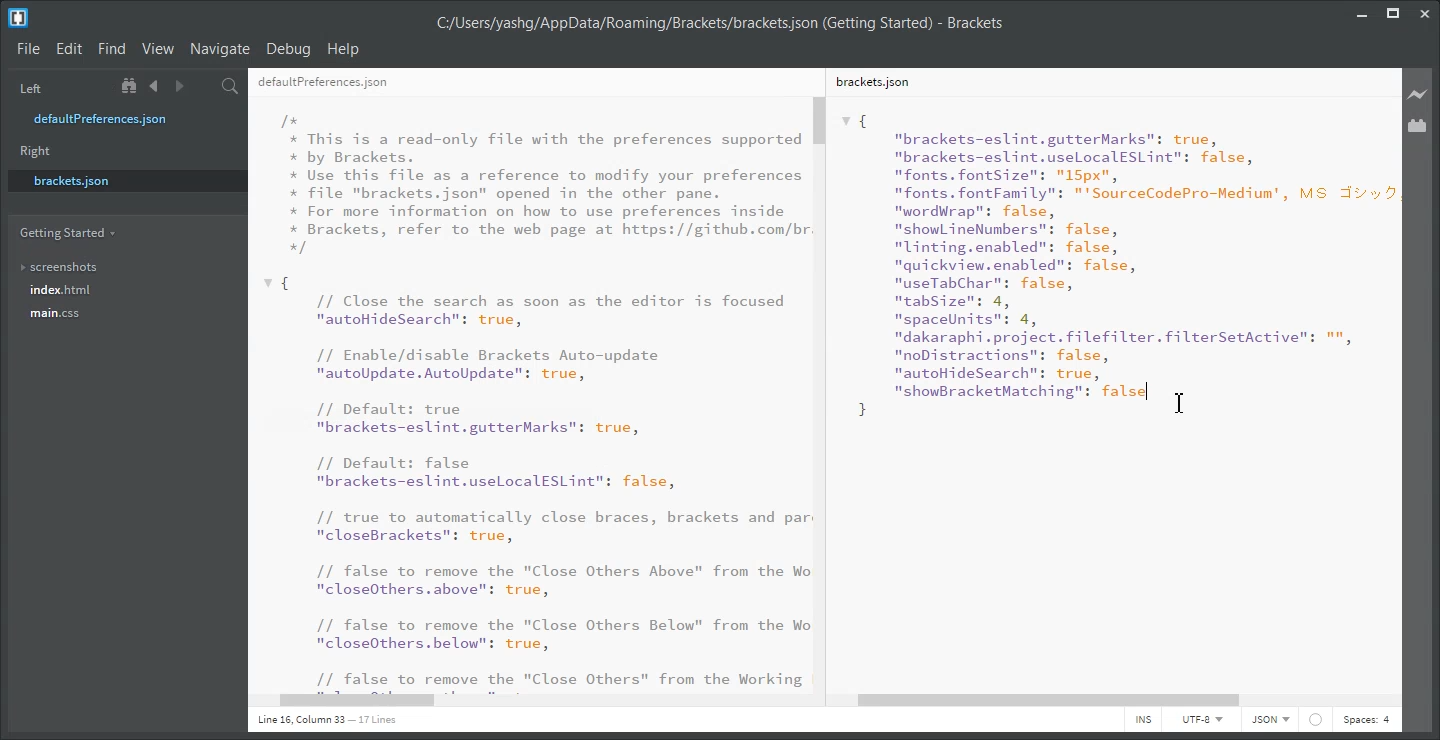 This screenshot has width=1440, height=740. Describe the element at coordinates (1366, 720) in the screenshot. I see `Spaces: 4` at that location.